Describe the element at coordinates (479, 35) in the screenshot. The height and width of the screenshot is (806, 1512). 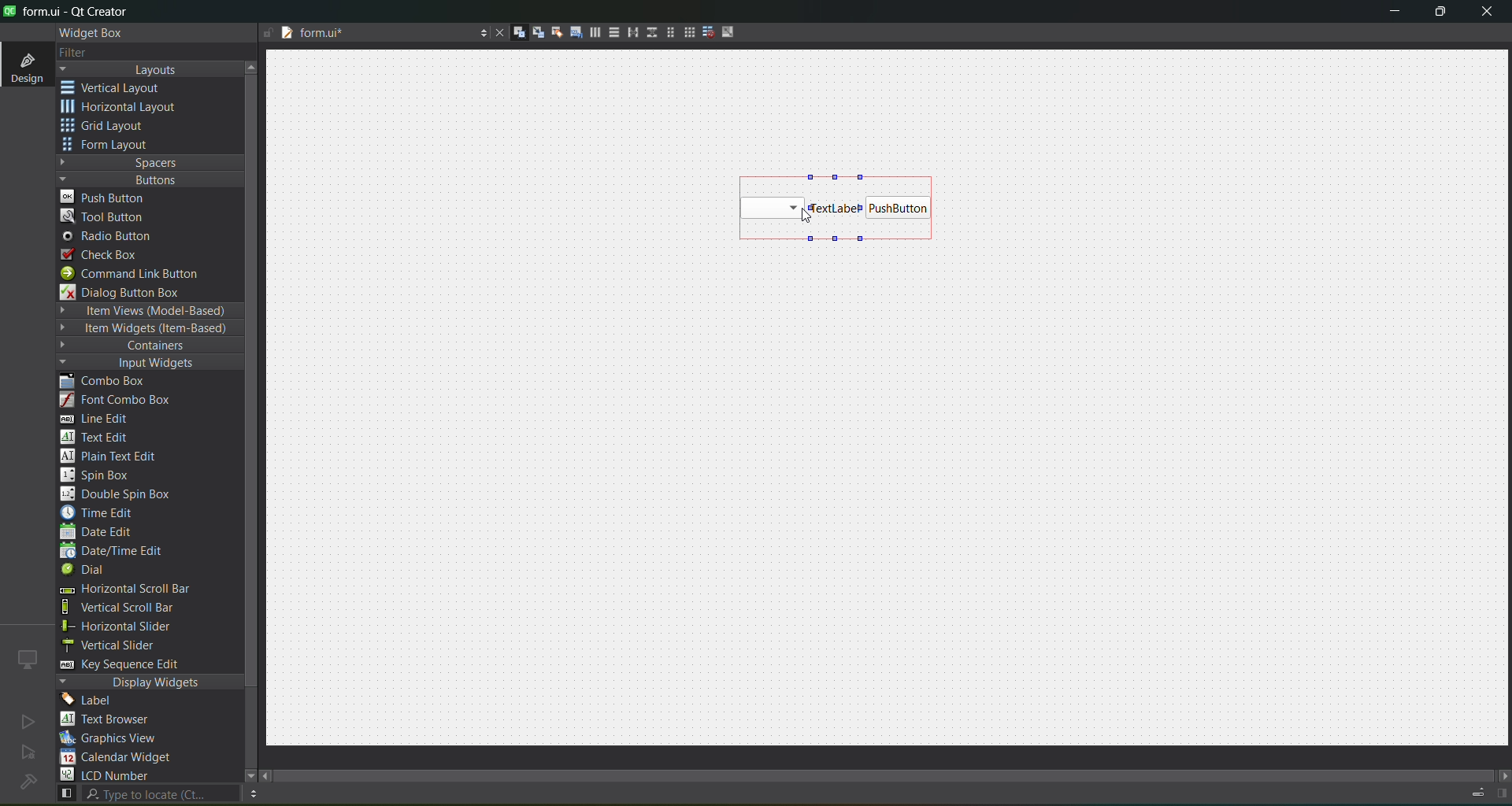
I see `options` at that location.